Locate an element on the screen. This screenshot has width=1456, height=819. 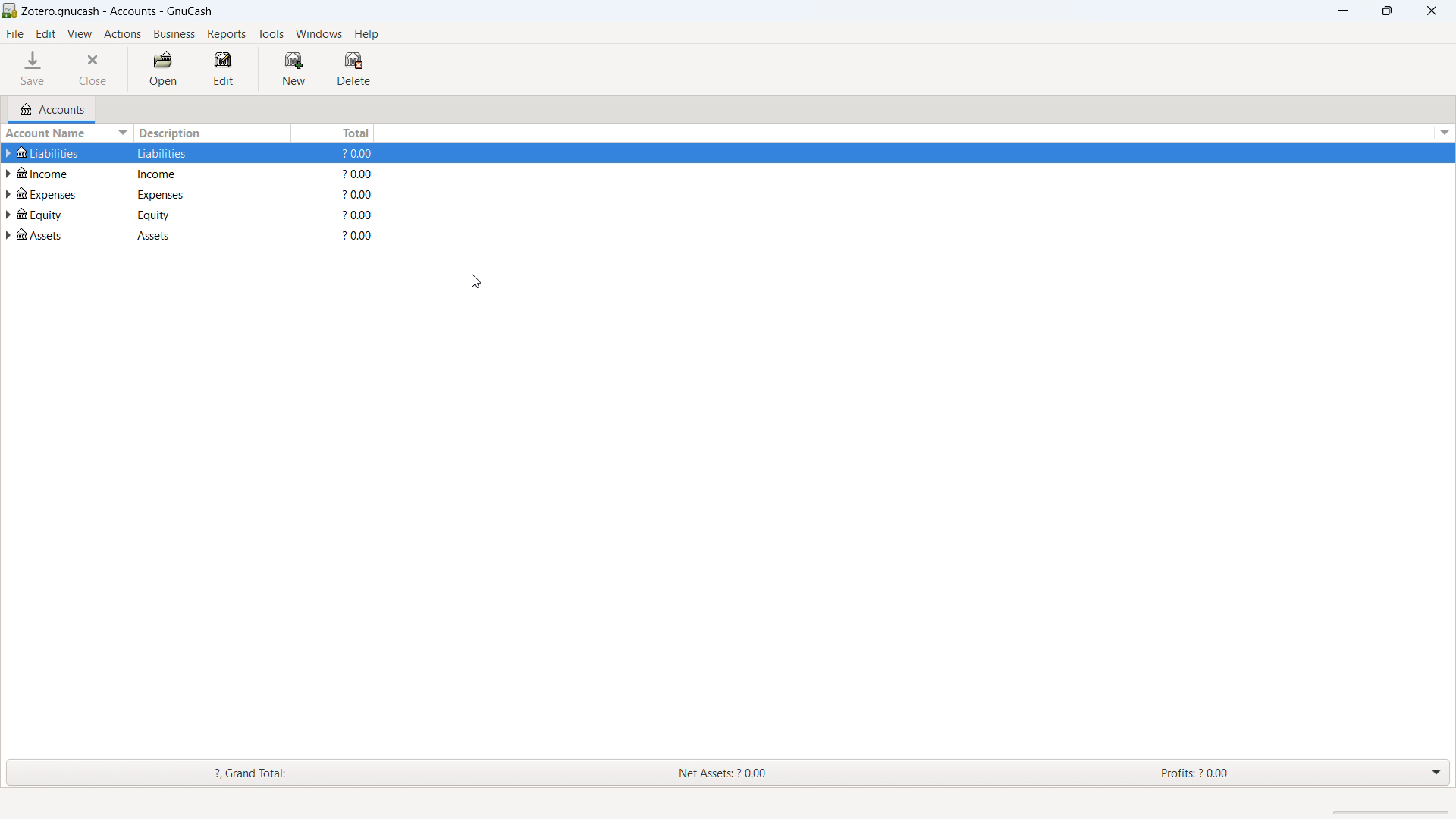
equity is located at coordinates (52, 213).